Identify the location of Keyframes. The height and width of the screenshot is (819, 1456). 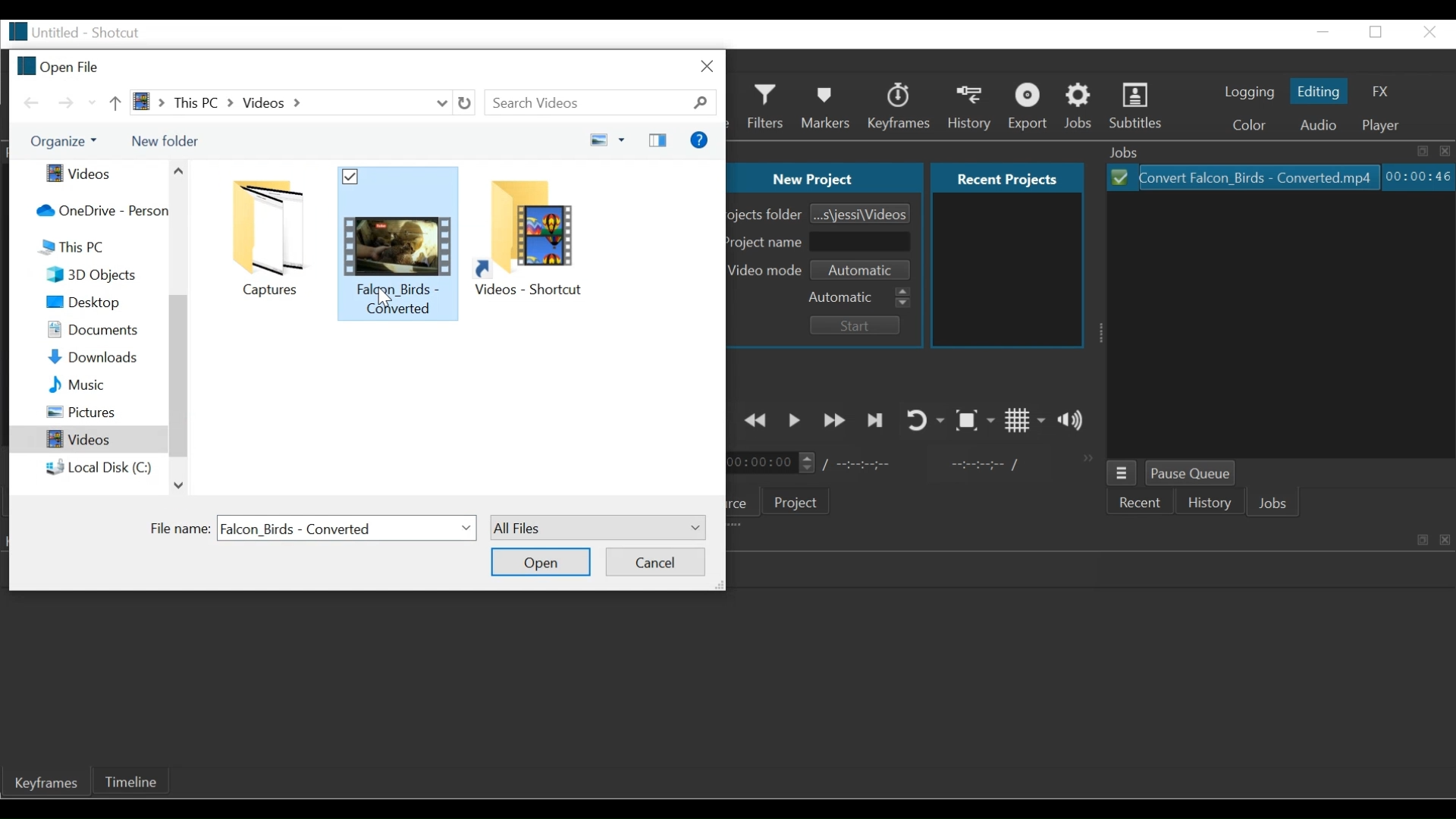
(902, 107).